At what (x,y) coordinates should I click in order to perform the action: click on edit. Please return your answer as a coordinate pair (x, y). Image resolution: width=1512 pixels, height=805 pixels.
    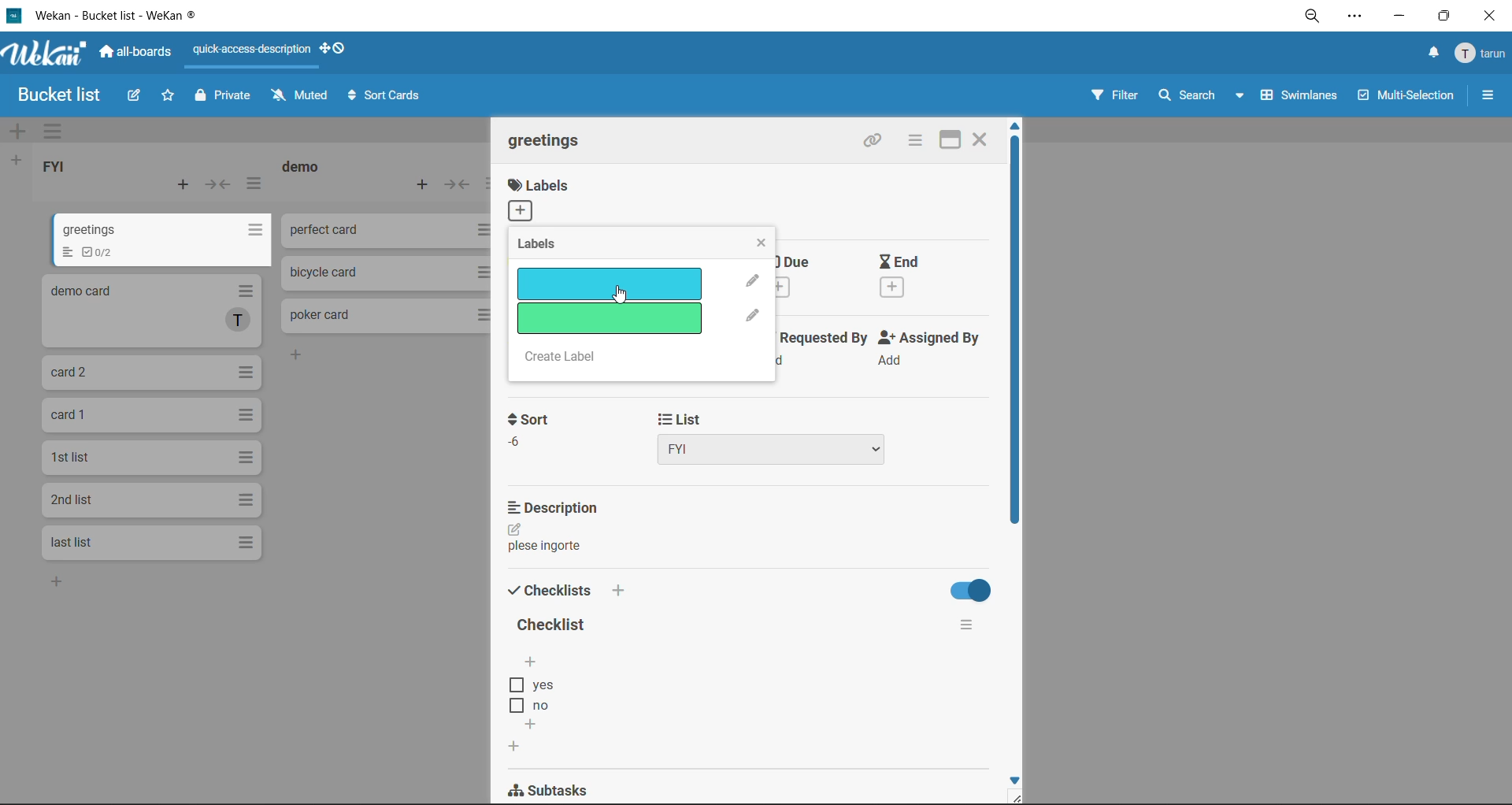
    Looking at the image, I should click on (518, 528).